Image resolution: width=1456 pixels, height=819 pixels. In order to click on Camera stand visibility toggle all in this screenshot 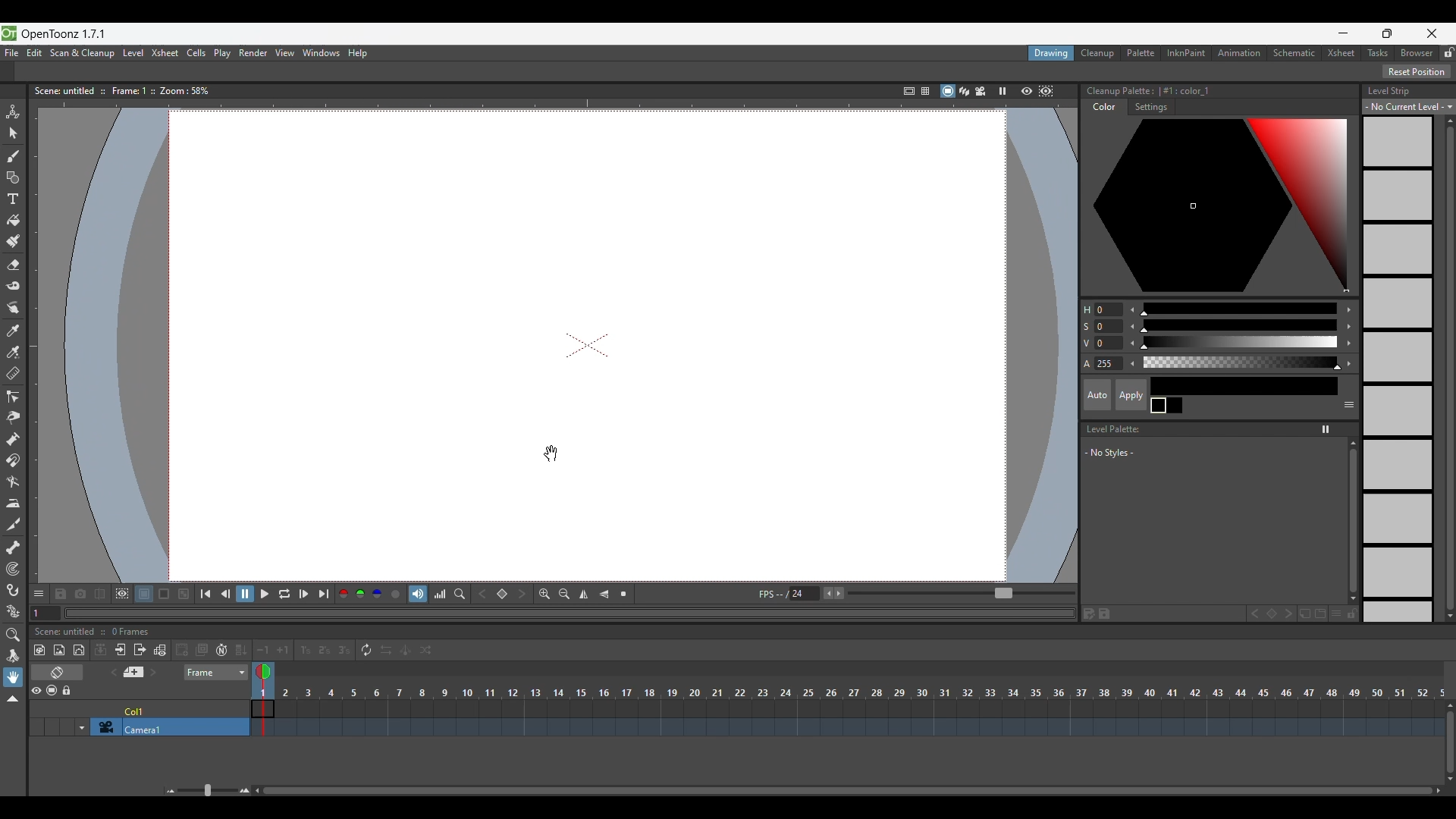, I will do `click(52, 689)`.